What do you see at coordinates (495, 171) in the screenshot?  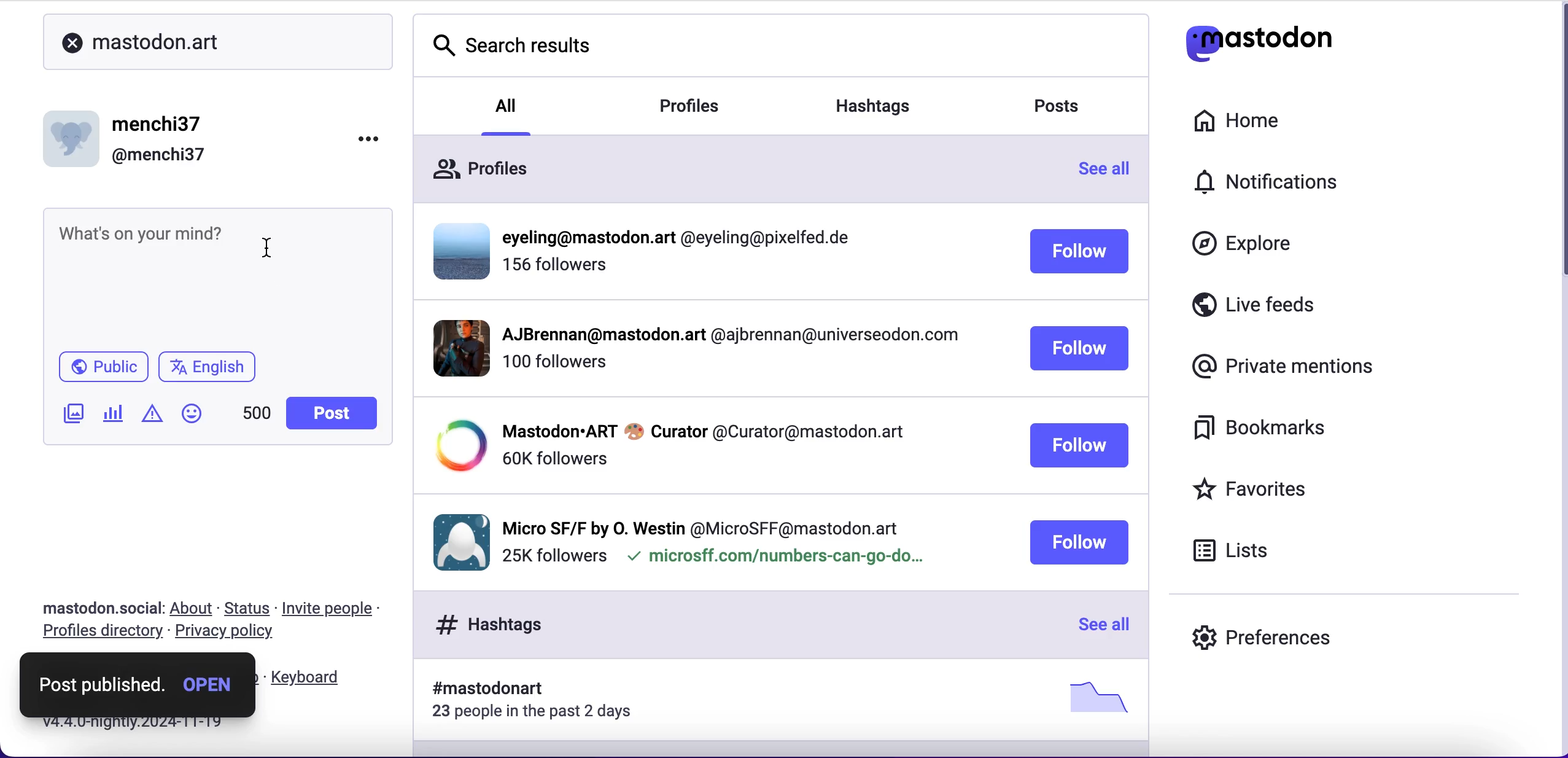 I see `profiles` at bounding box center [495, 171].